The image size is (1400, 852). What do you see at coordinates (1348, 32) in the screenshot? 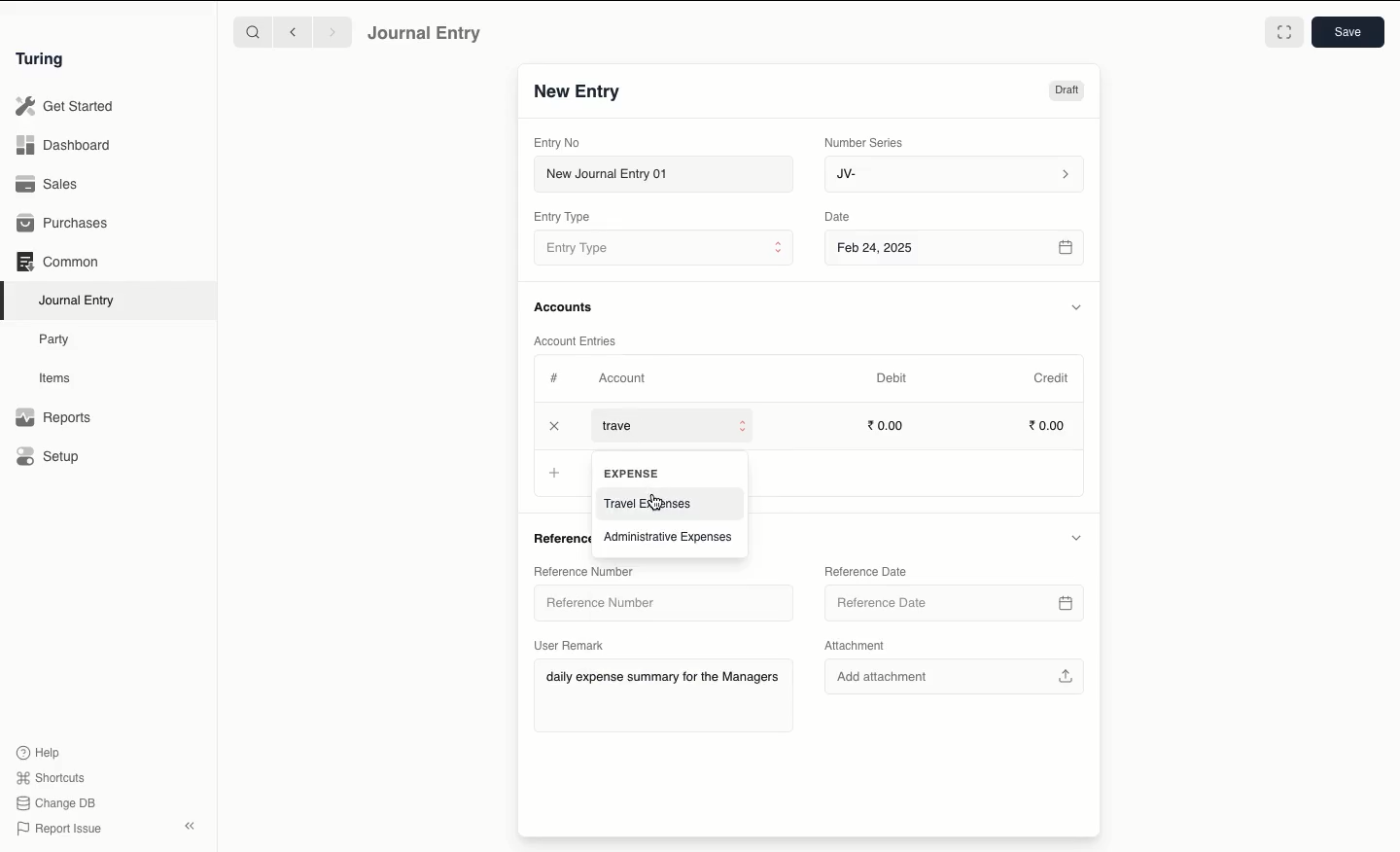
I see `Save` at bounding box center [1348, 32].